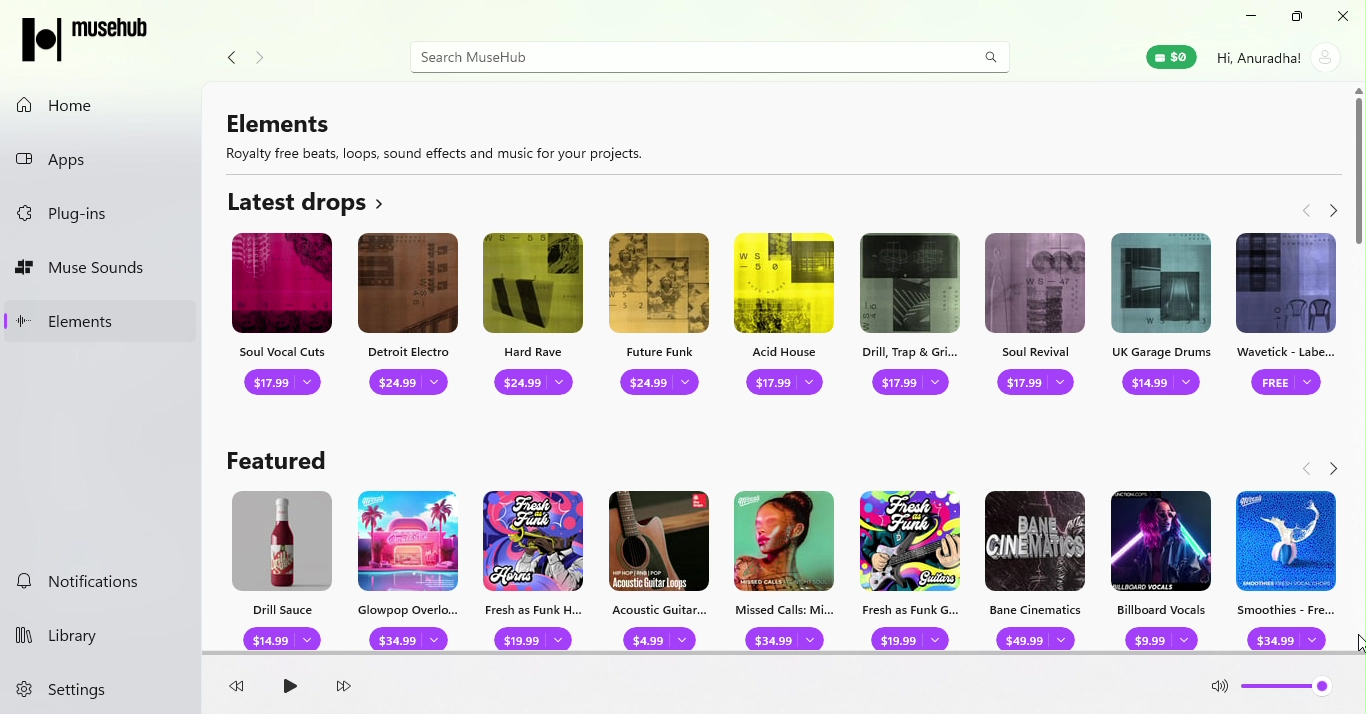 The image size is (1366, 714). What do you see at coordinates (410, 316) in the screenshot?
I see `Detroit Electro` at bounding box center [410, 316].